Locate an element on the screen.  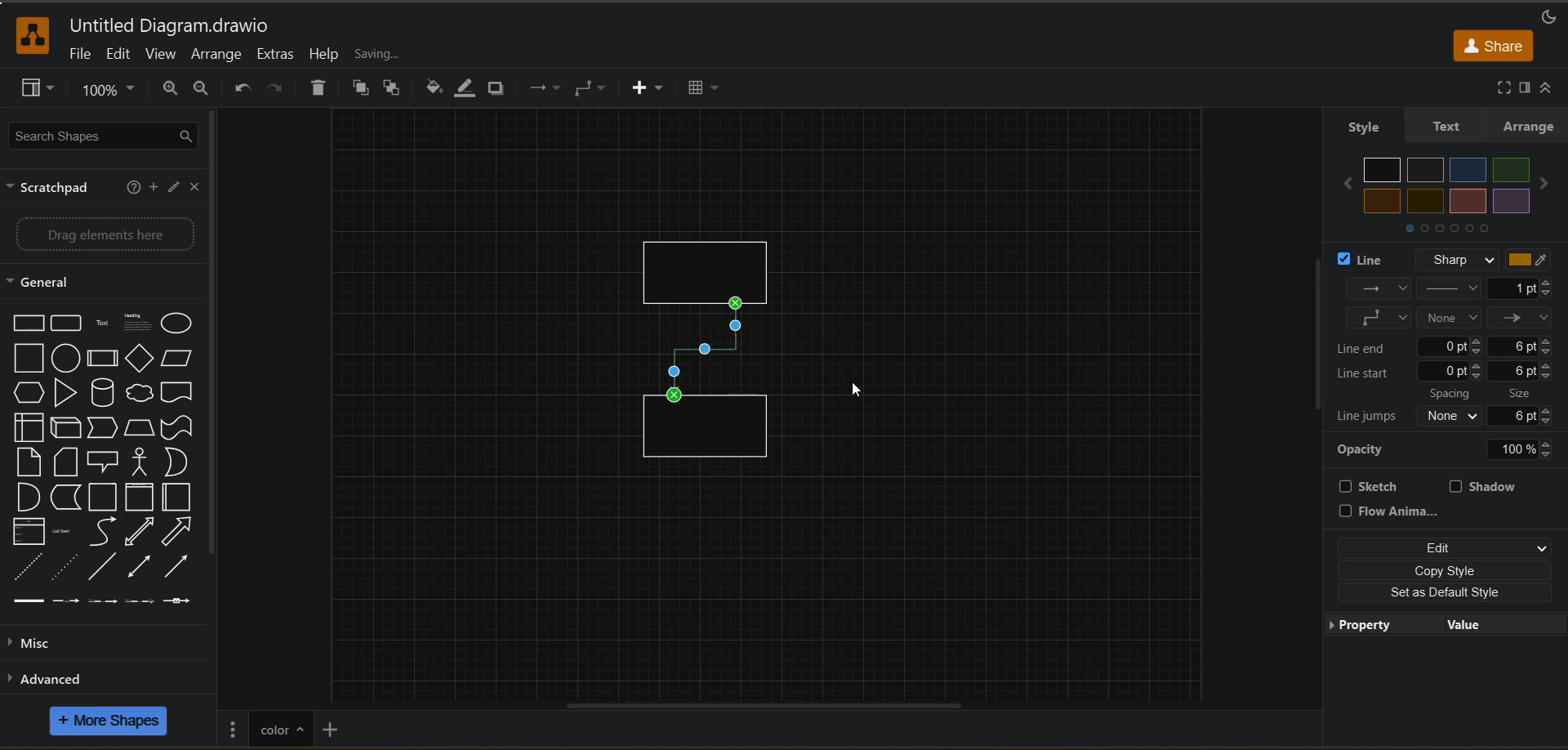
arrange is located at coordinates (1529, 126).